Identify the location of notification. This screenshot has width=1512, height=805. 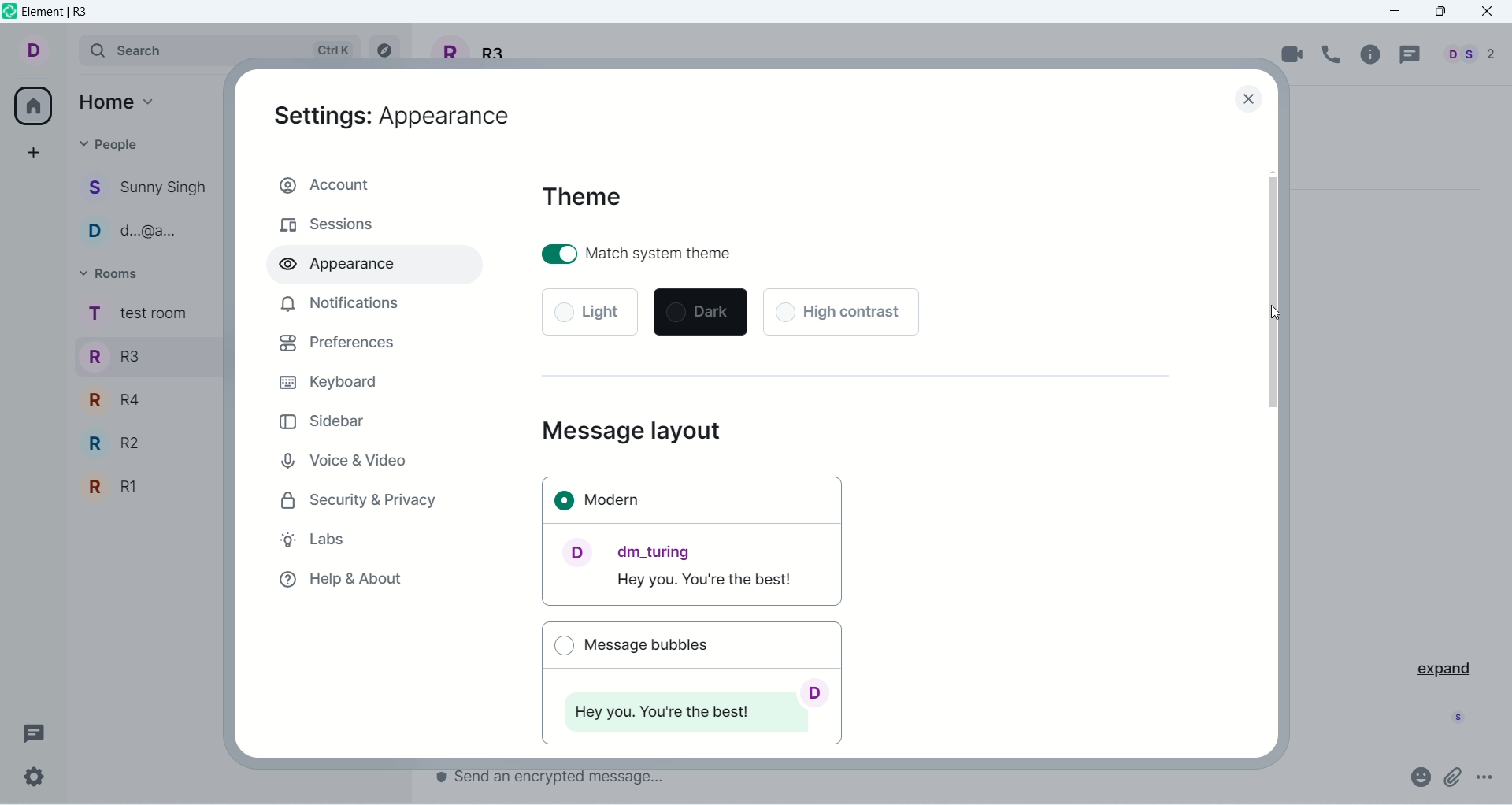
(336, 303).